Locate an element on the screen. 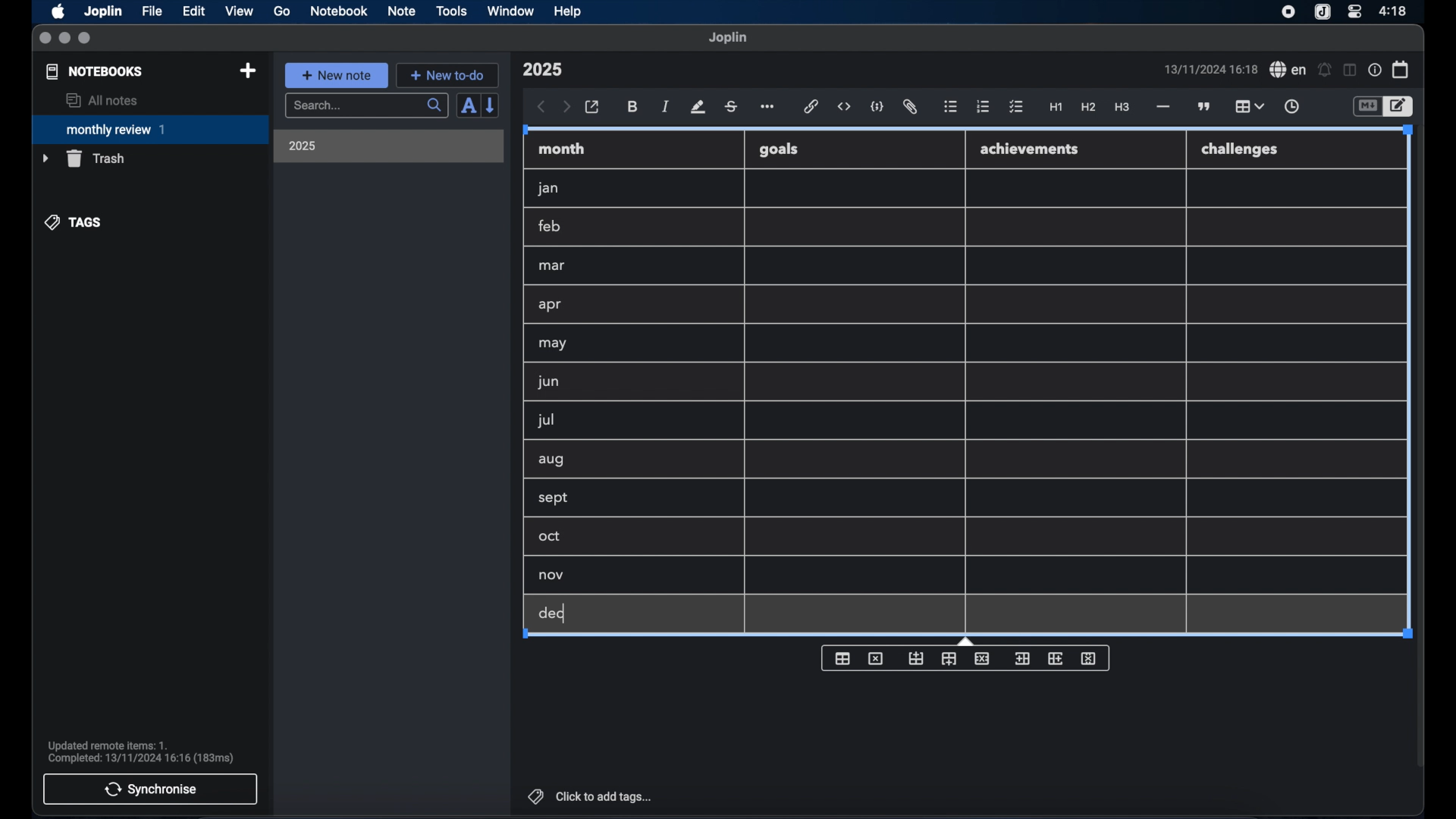 Image resolution: width=1456 pixels, height=819 pixels. heading 3 is located at coordinates (1122, 108).